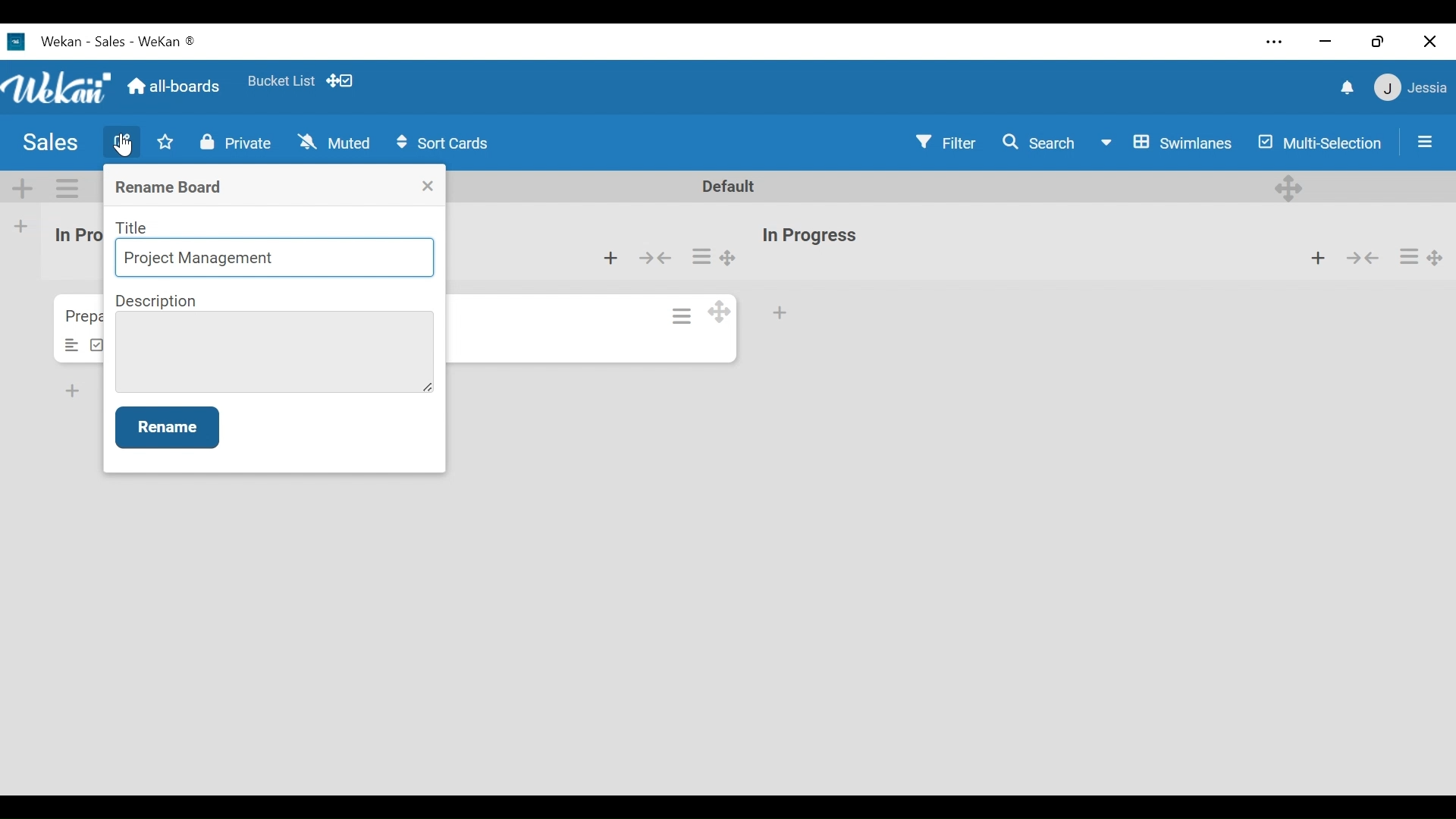 This screenshot has width=1456, height=819. Describe the element at coordinates (1272, 42) in the screenshot. I see `settings and more` at that location.